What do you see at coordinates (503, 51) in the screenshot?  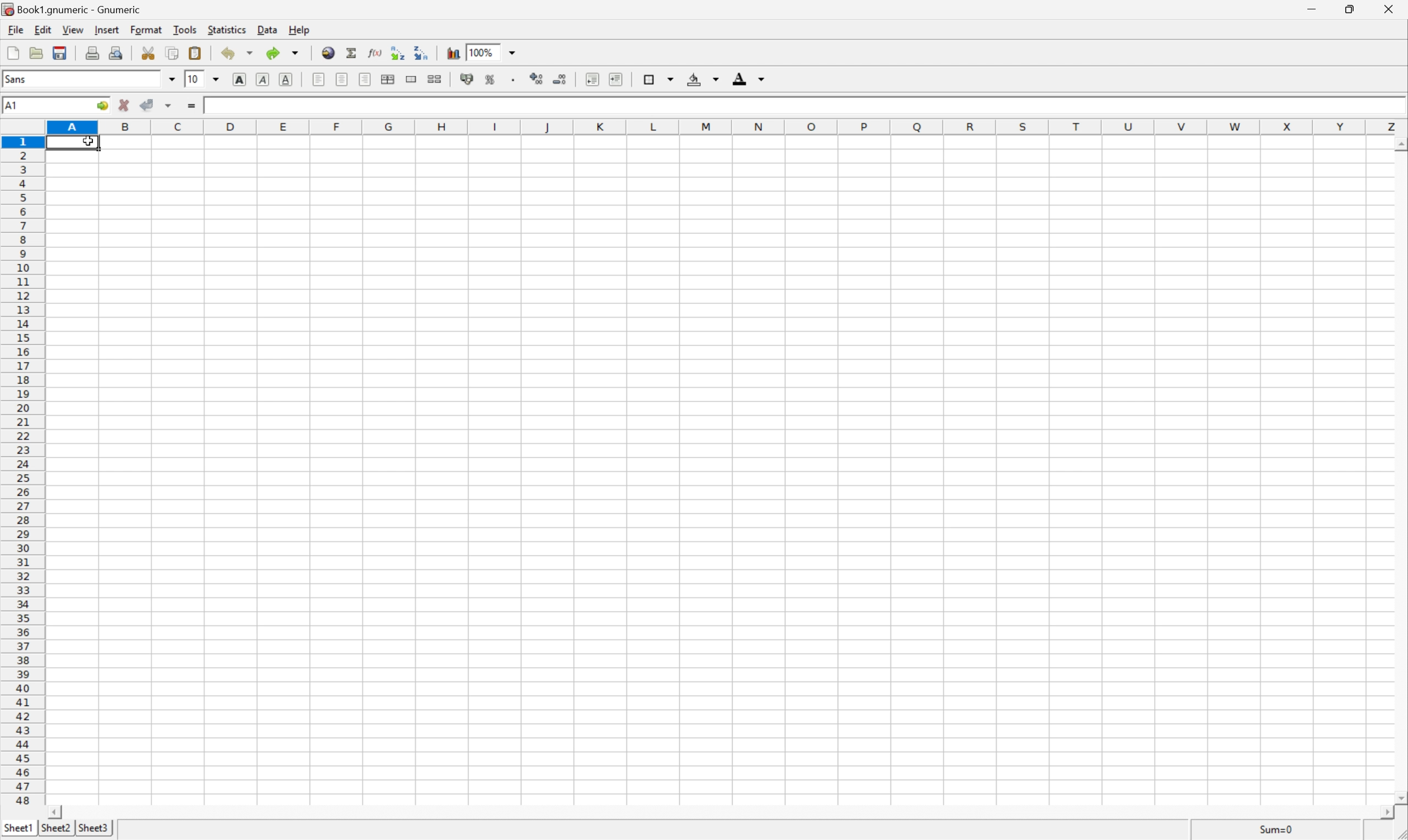 I see `Zoom 100%` at bounding box center [503, 51].